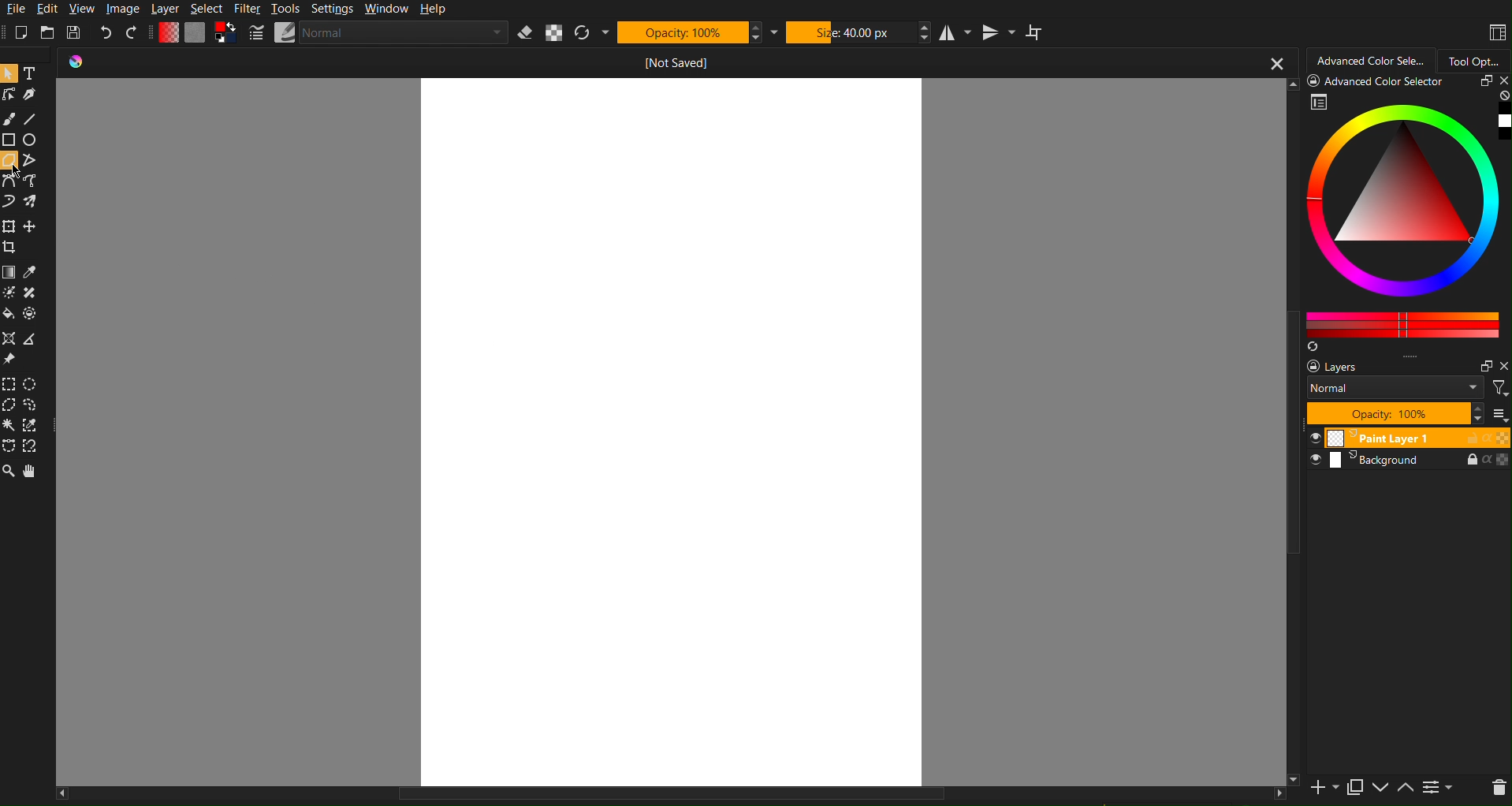  What do you see at coordinates (83, 63) in the screenshot?
I see `icon` at bounding box center [83, 63].